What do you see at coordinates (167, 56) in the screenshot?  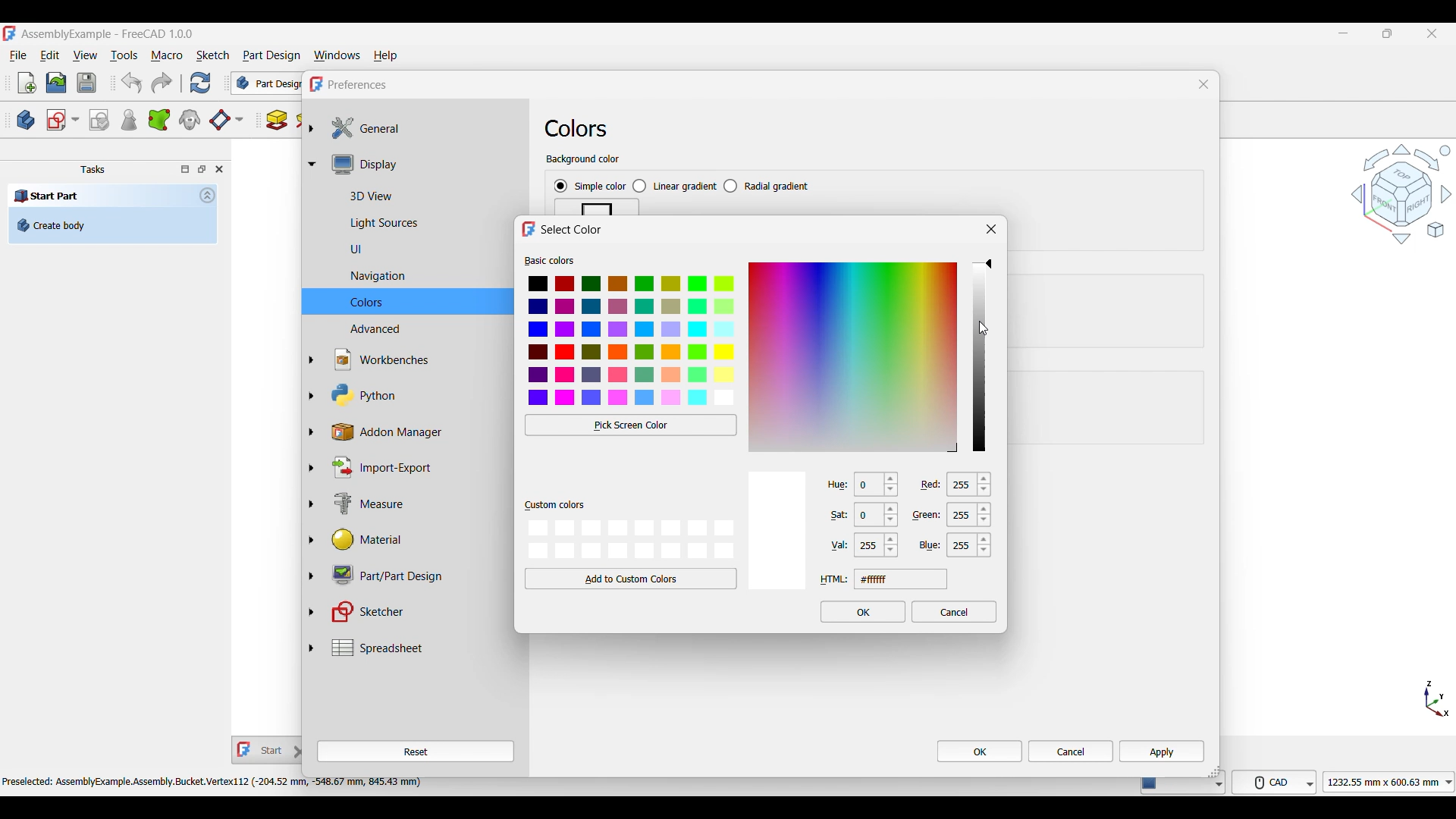 I see `Macro menu` at bounding box center [167, 56].